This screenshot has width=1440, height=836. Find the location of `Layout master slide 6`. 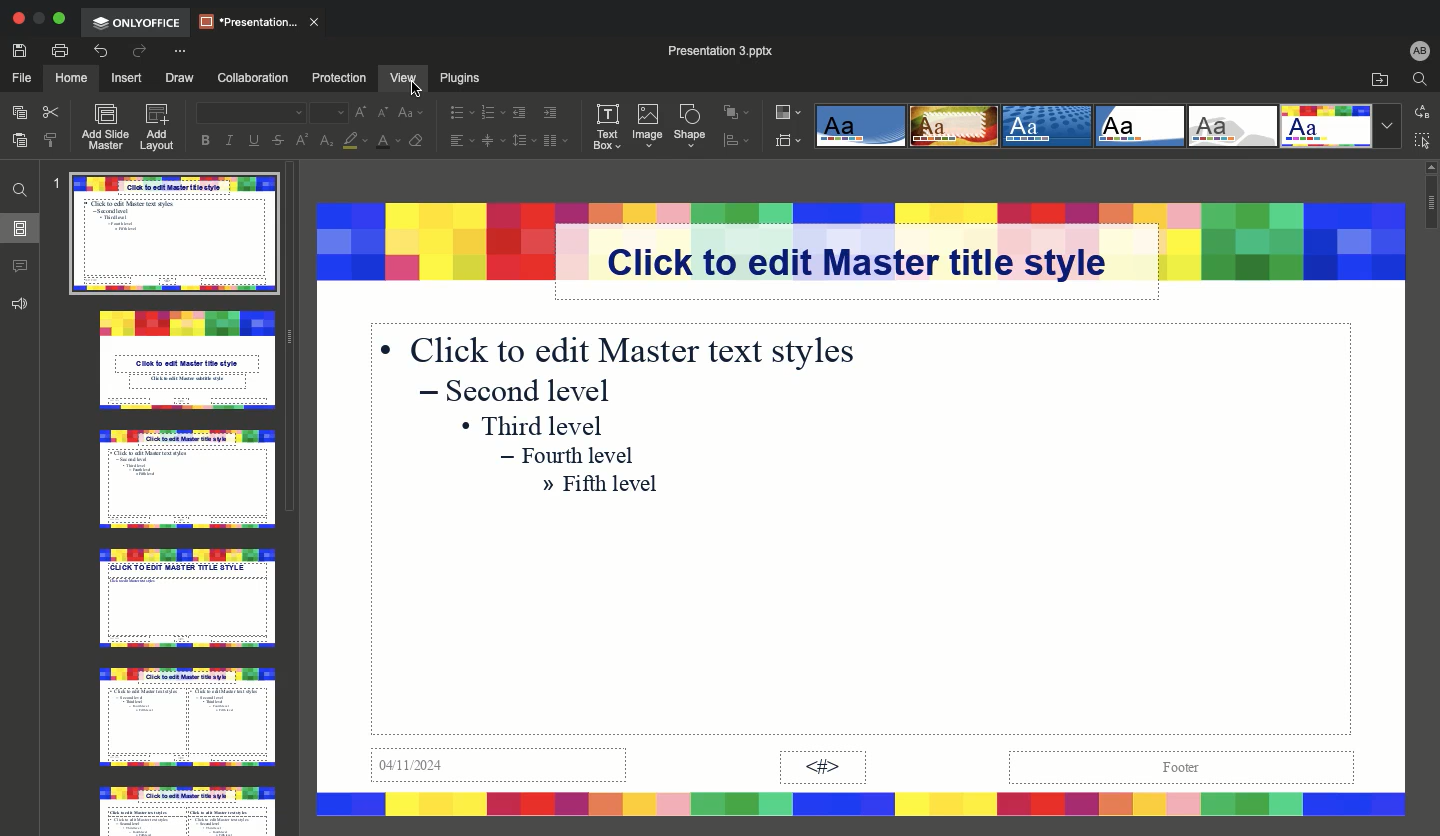

Layout master slide 6 is located at coordinates (185, 807).